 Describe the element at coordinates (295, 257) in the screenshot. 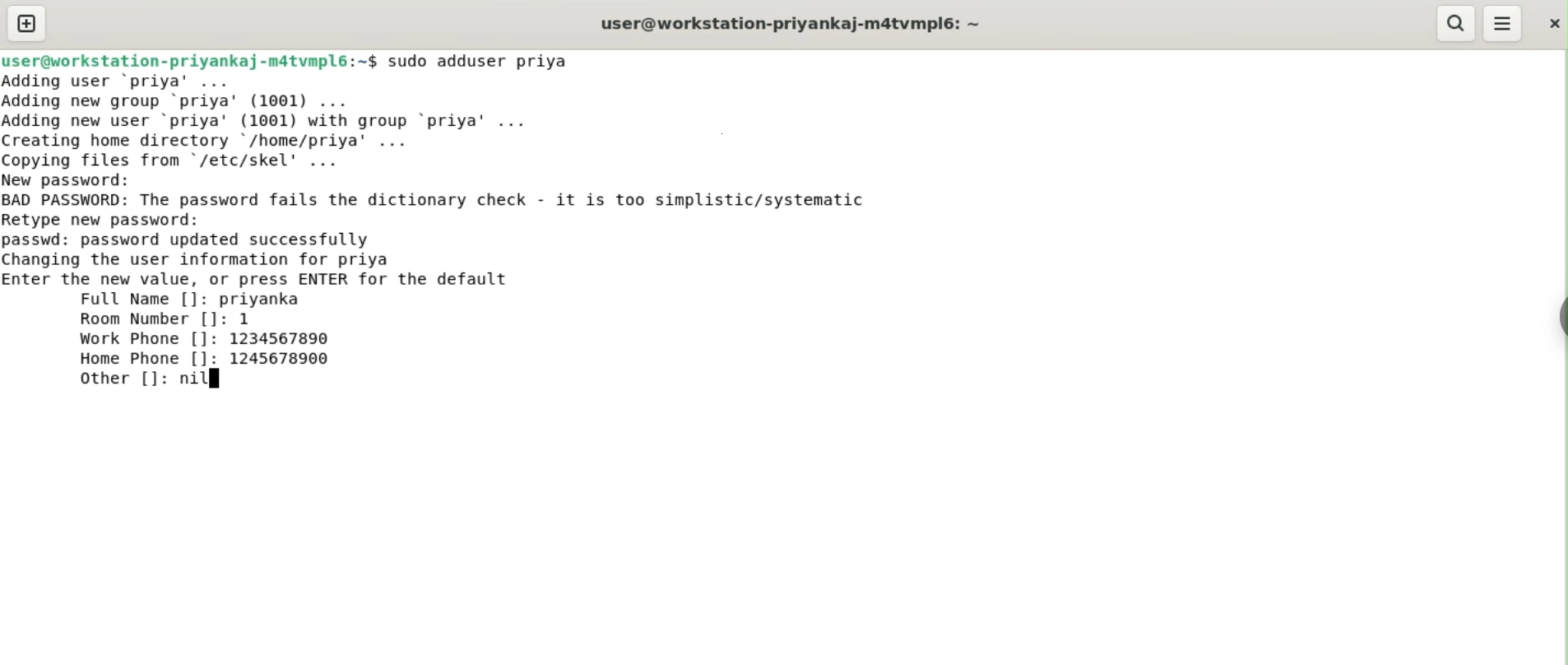

I see `passwd: password updated successfully    changing the user information for priya  enter the new value, or press ENTER for default value` at that location.